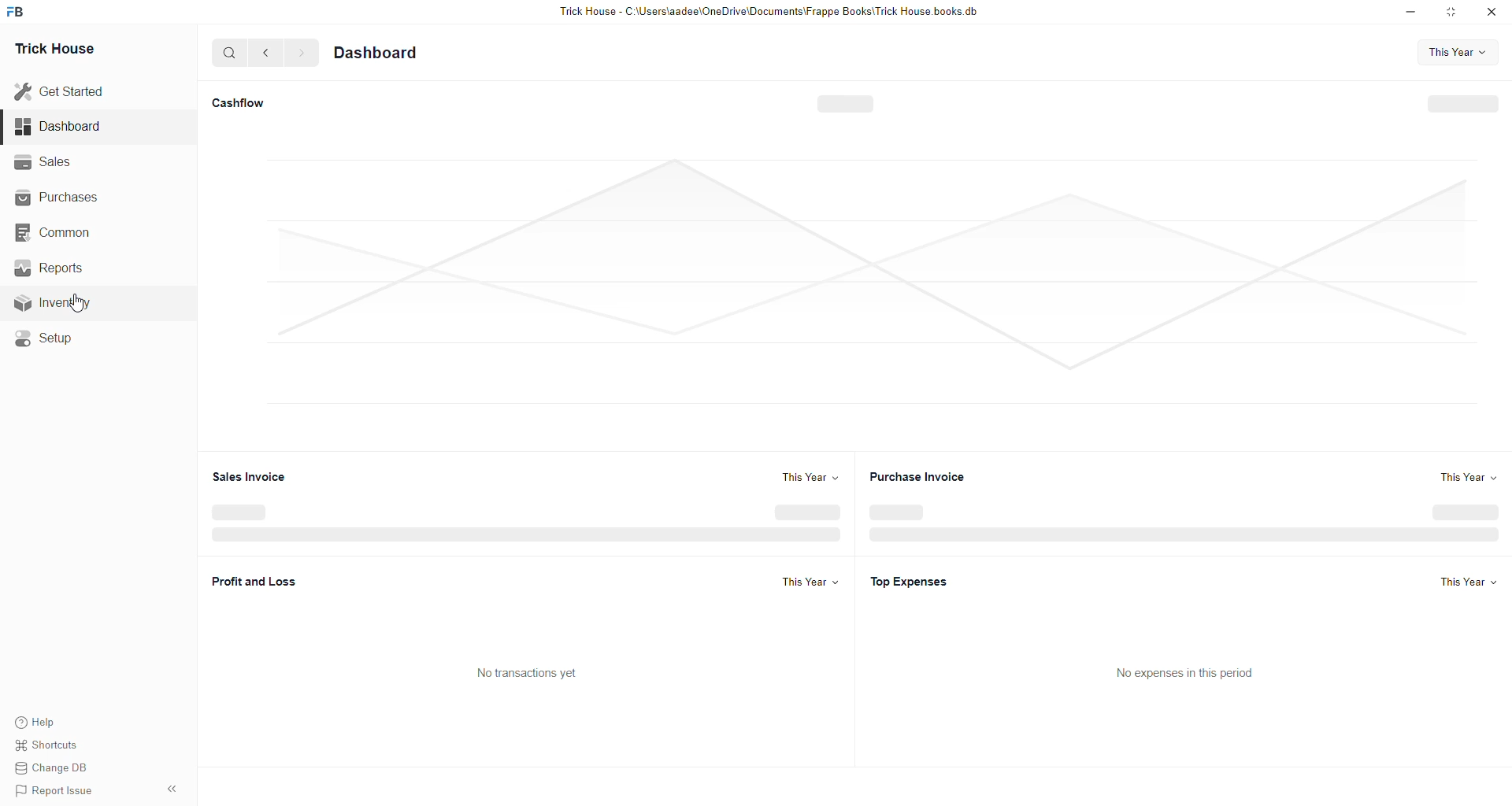 The image size is (1512, 806). I want to click on Chart, so click(853, 291).